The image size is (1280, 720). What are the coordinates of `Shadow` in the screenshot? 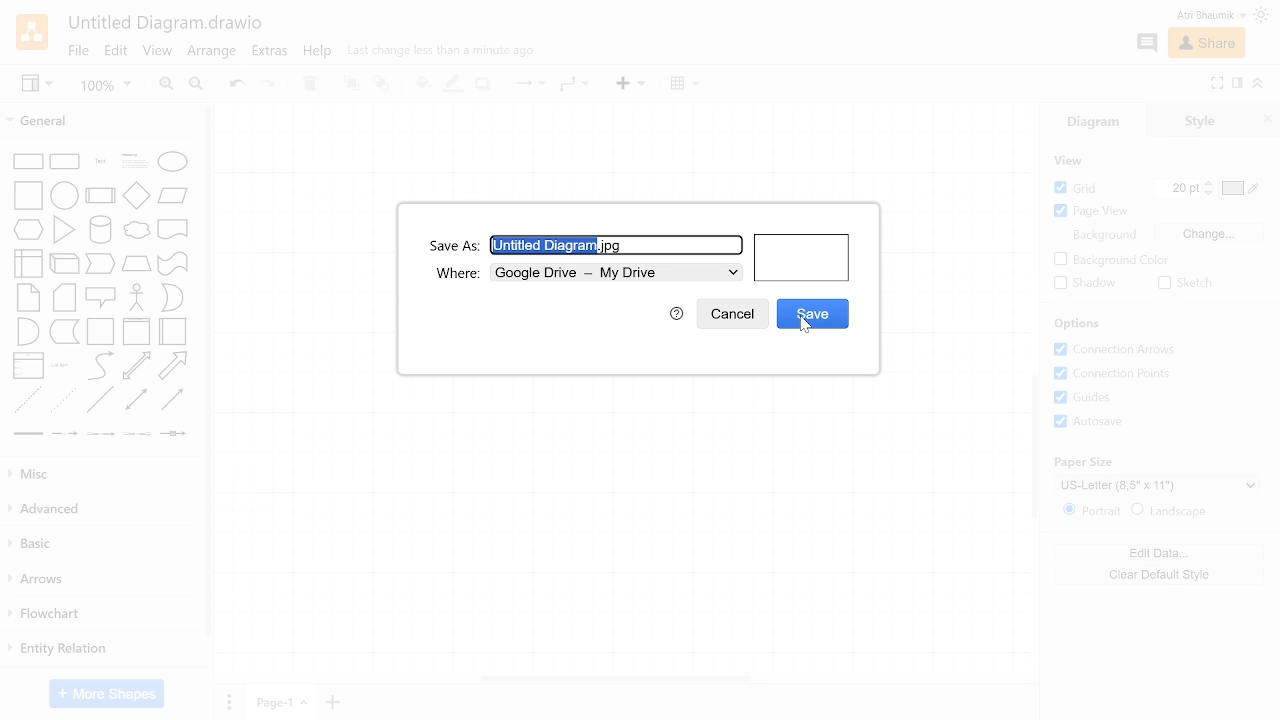 It's located at (1084, 283).